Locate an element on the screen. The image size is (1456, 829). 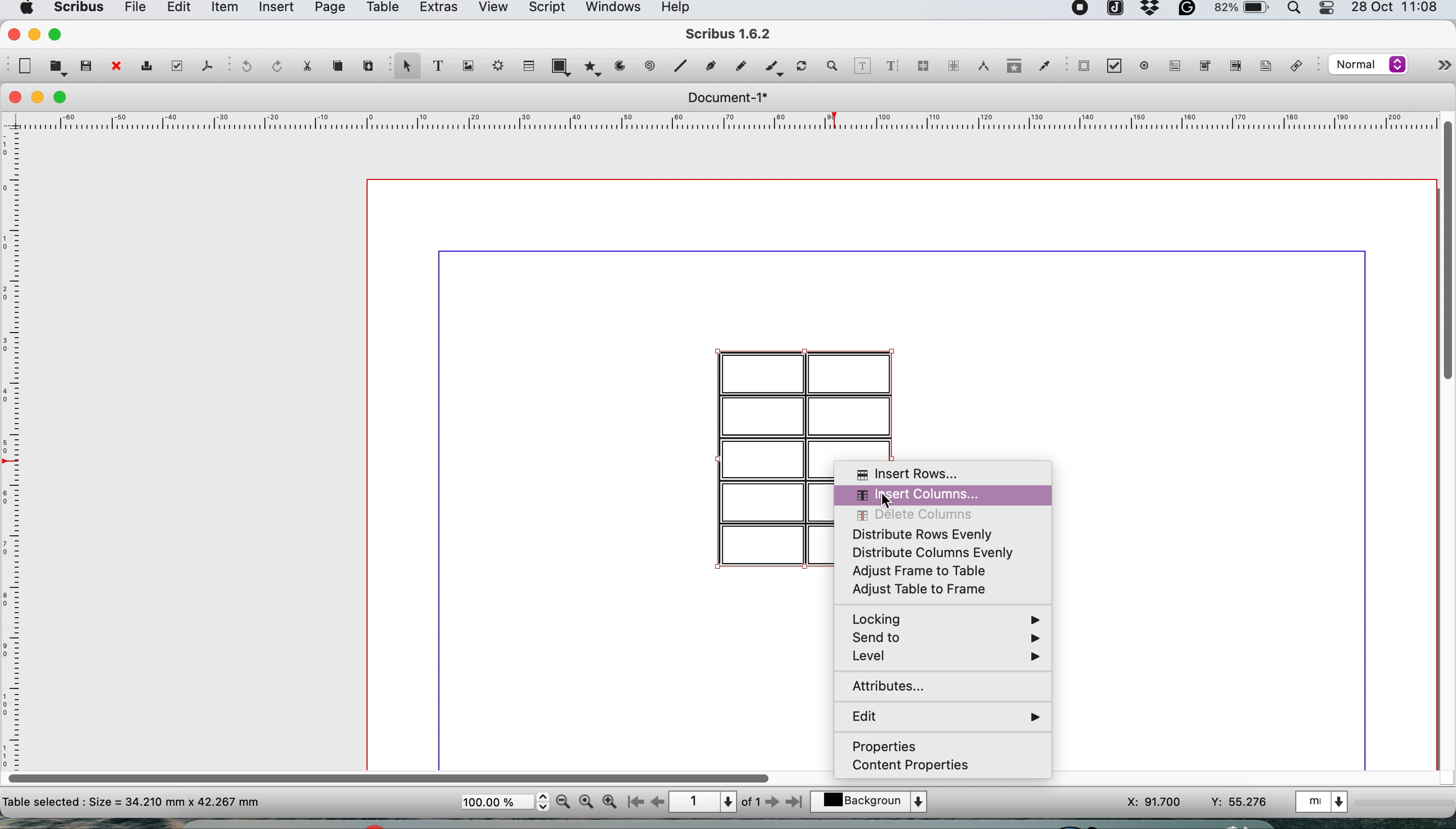
redo is located at coordinates (274, 65).